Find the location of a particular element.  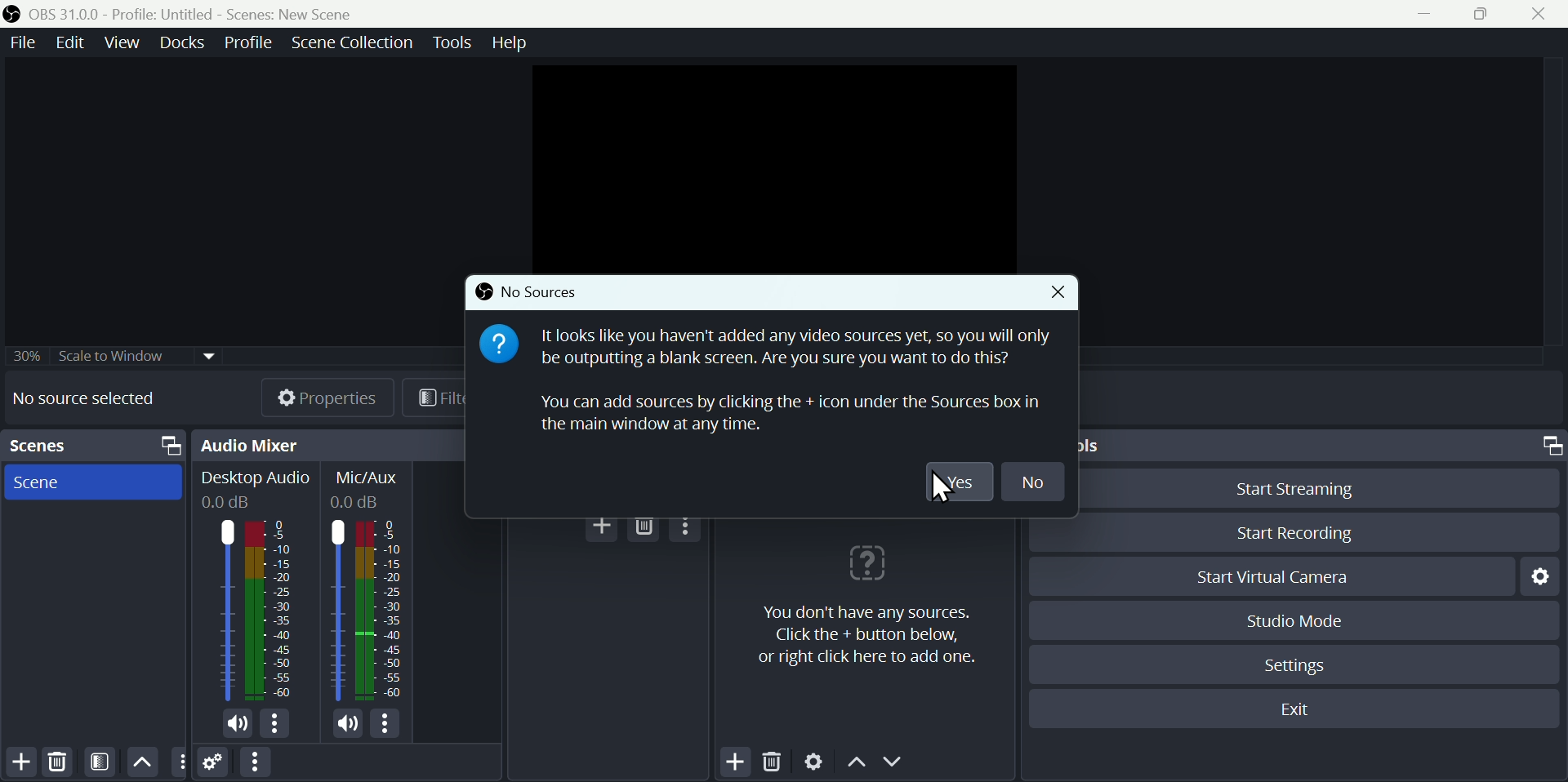

OBS 31.0 .0 profile column untitled scenes: new scene is located at coordinates (207, 13).